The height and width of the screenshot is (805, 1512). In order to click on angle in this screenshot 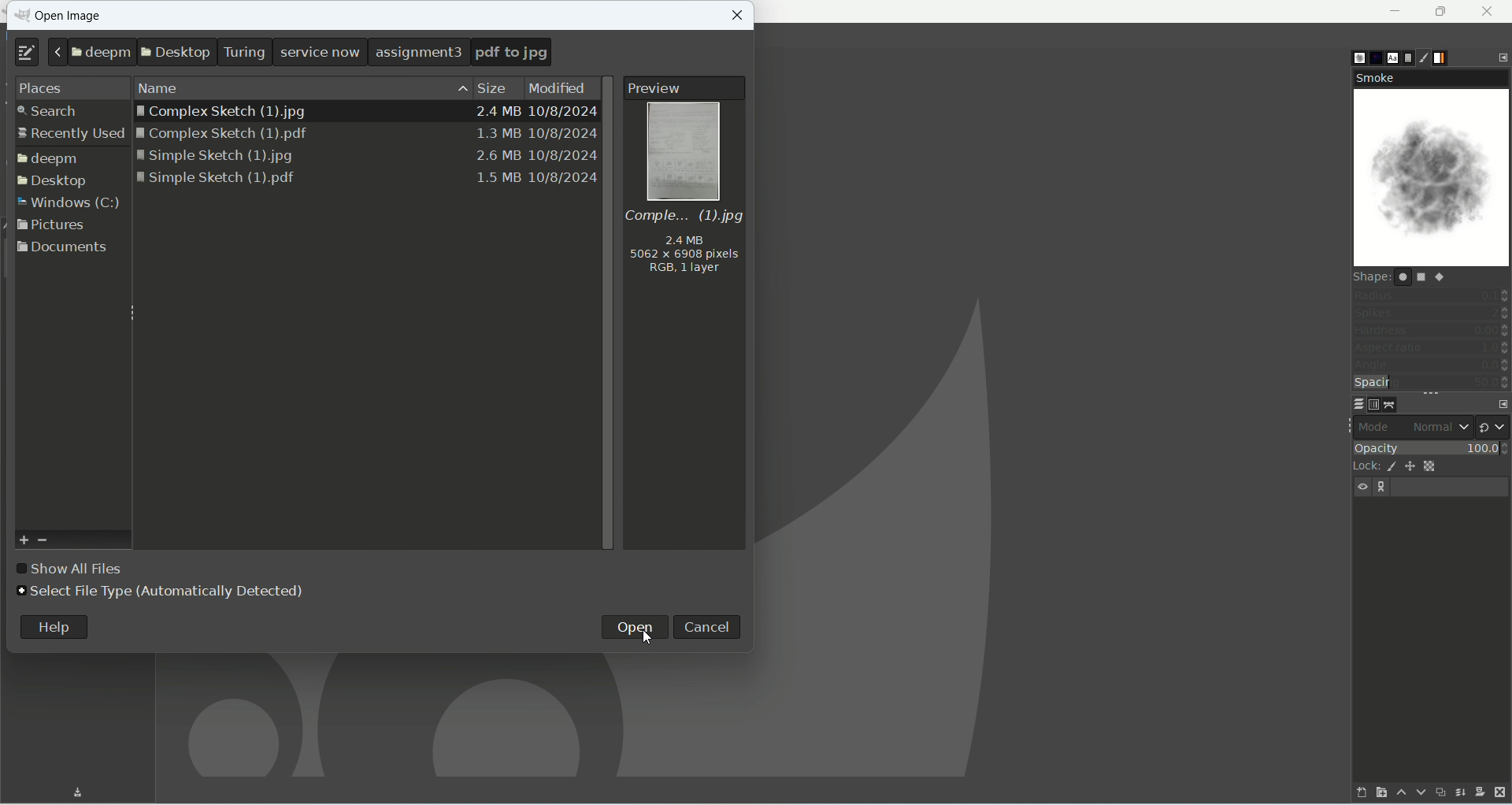, I will do `click(1431, 364)`.